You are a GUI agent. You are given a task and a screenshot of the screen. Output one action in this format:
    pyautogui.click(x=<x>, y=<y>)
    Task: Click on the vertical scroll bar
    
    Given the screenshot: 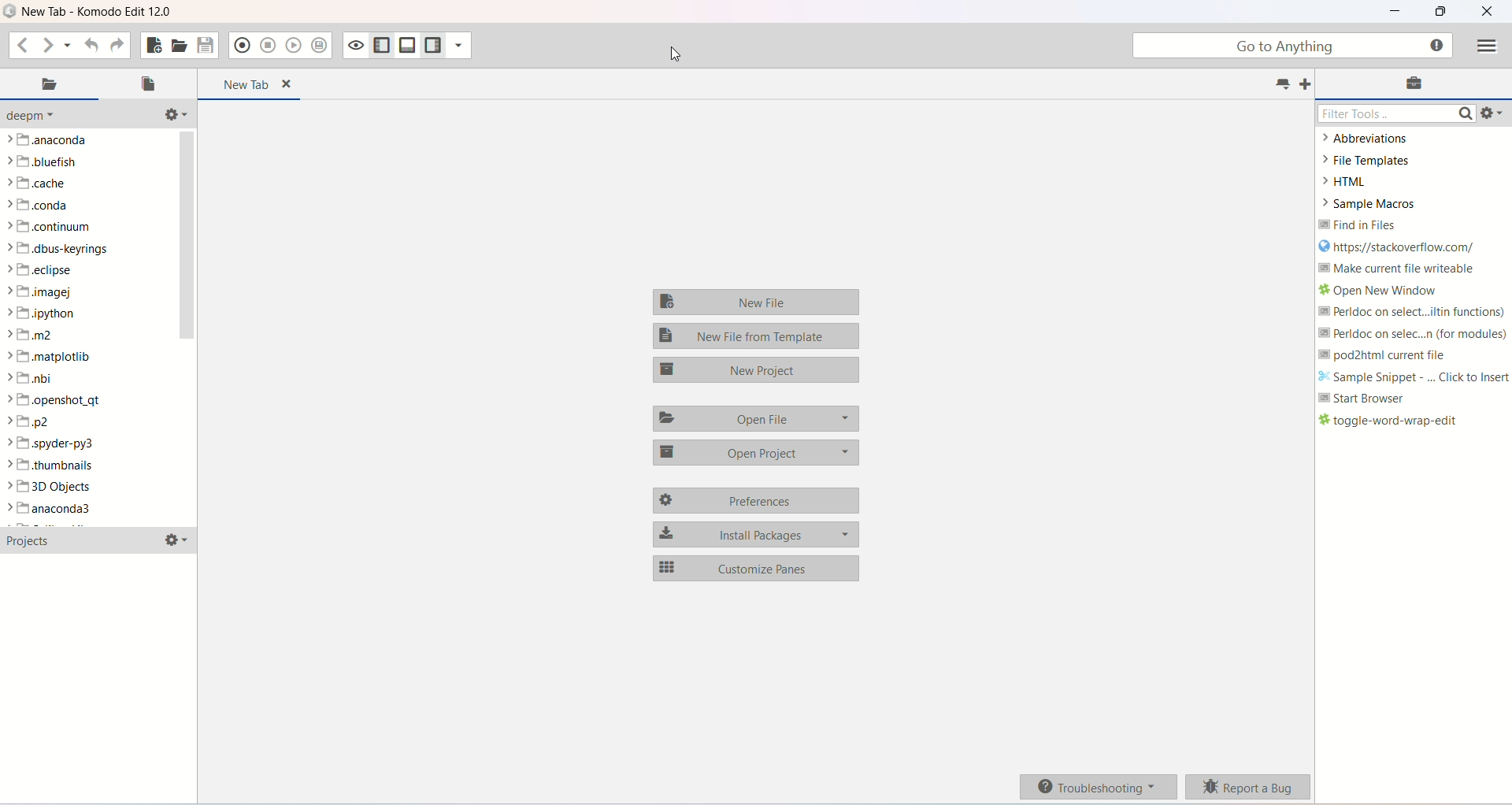 What is the action you would take?
    pyautogui.click(x=182, y=326)
    